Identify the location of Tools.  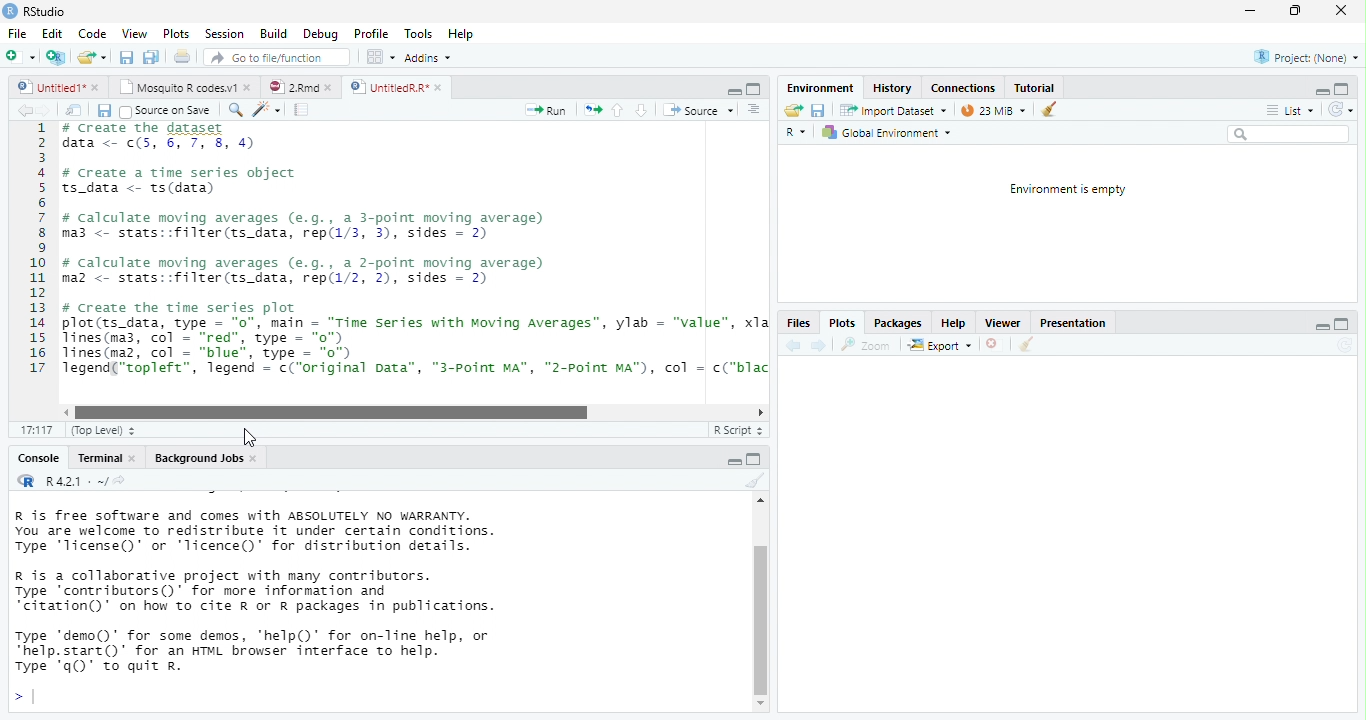
(419, 33).